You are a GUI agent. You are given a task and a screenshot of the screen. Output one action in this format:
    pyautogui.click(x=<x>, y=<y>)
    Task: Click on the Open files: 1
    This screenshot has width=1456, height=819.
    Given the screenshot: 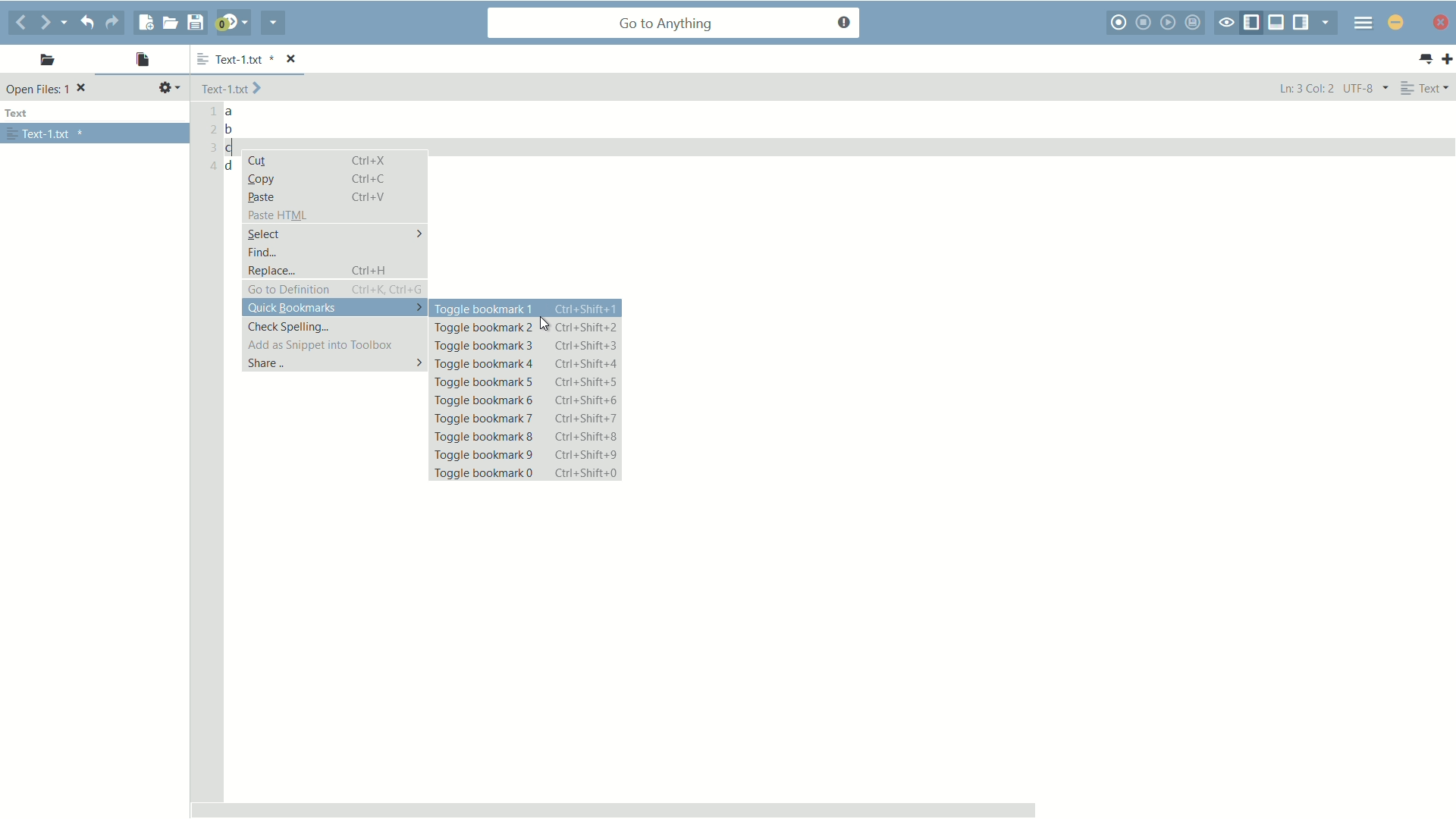 What is the action you would take?
    pyautogui.click(x=49, y=89)
    